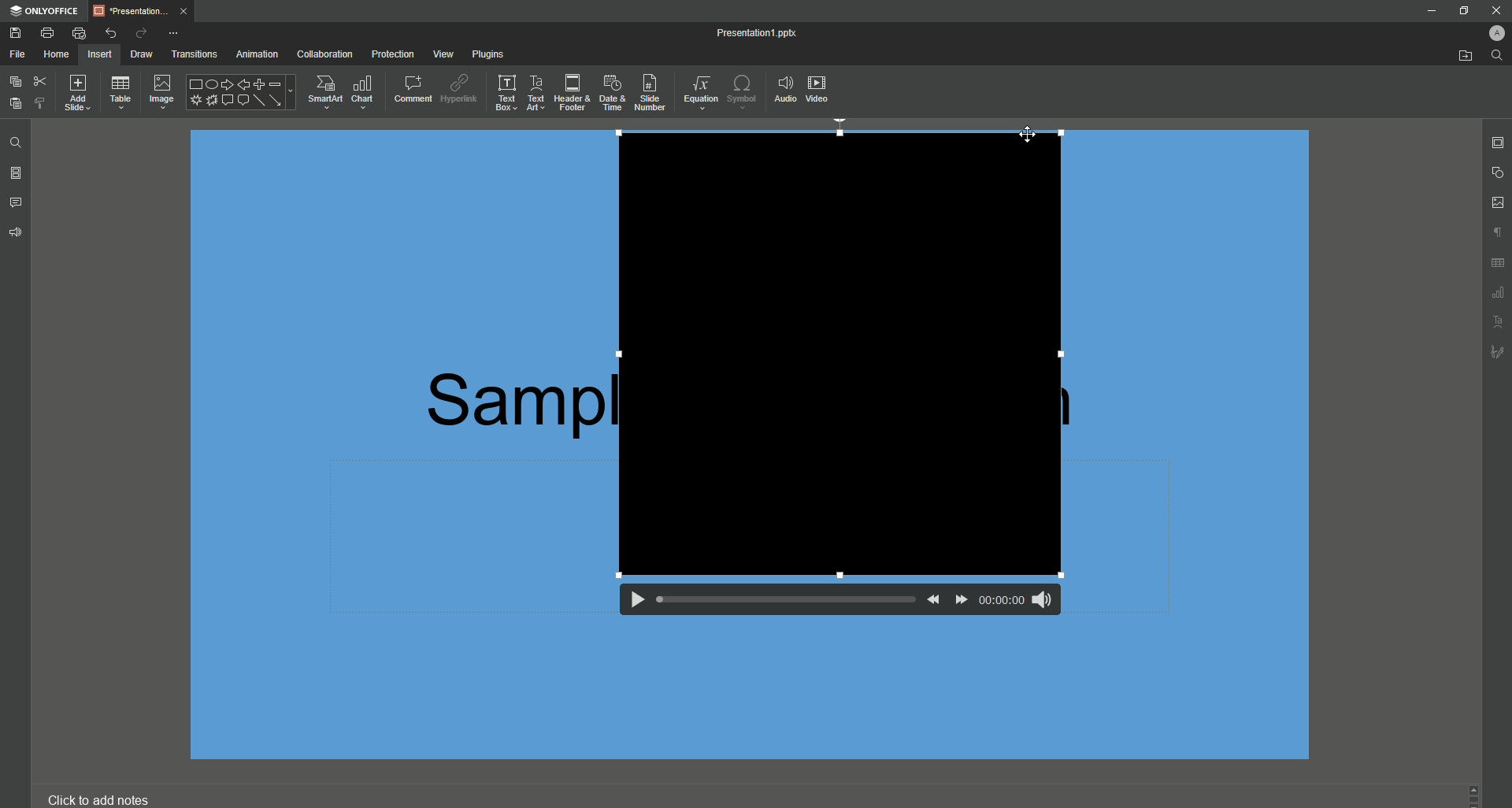 The width and height of the screenshot is (1512, 808). Describe the element at coordinates (193, 55) in the screenshot. I see `Transitions` at that location.